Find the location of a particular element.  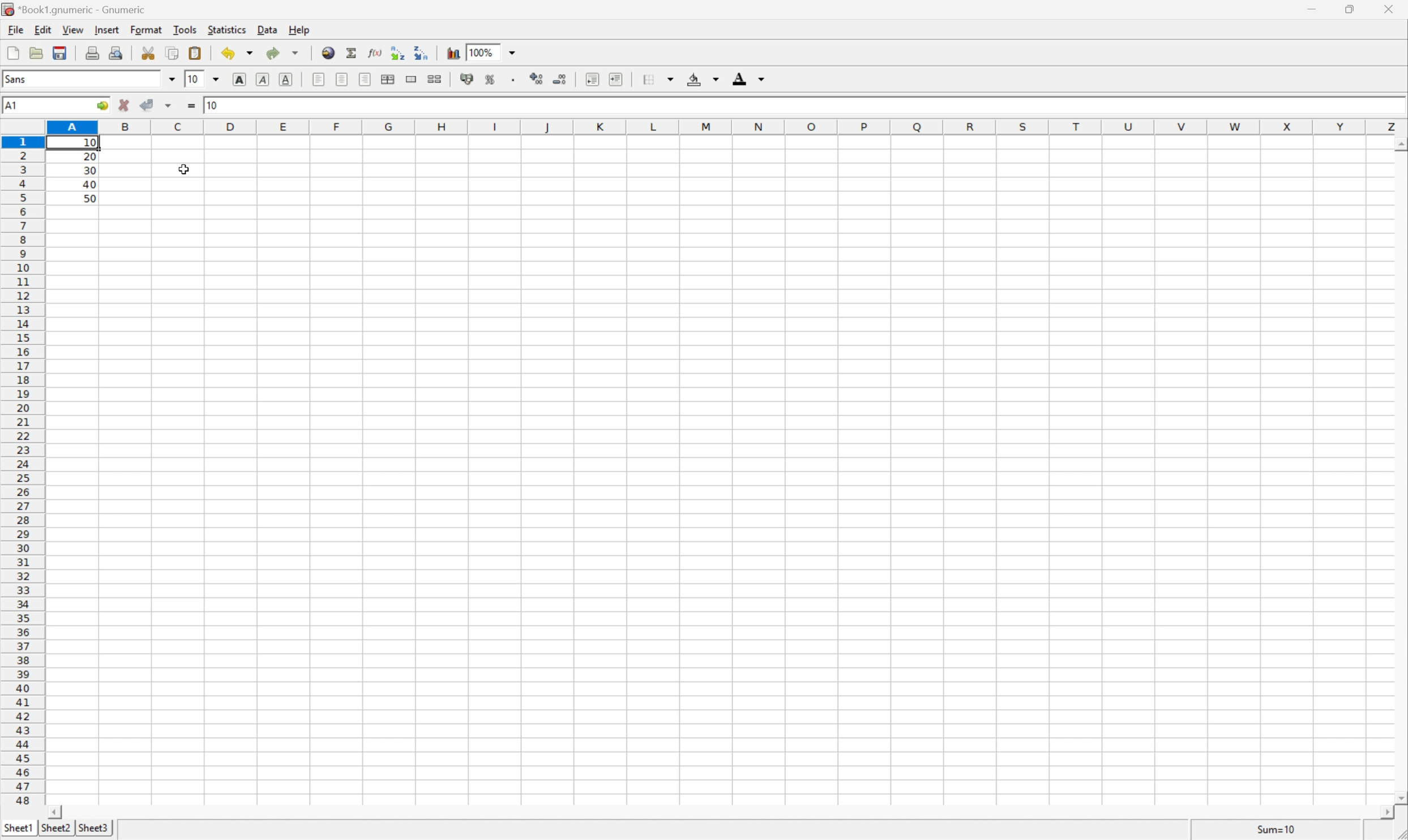

Format the selection as percentage is located at coordinates (490, 77).